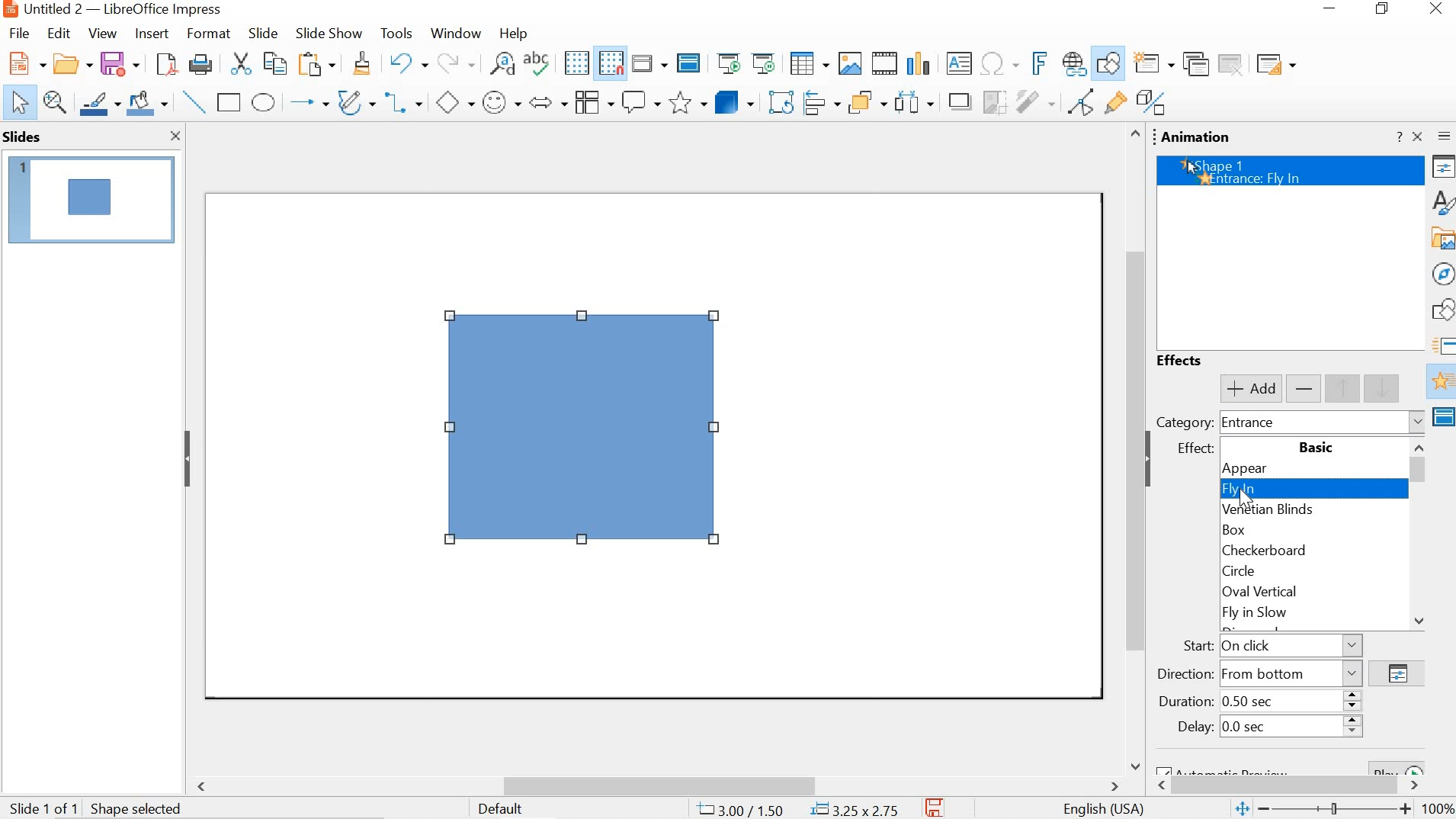 The image size is (1456, 819). What do you see at coordinates (1442, 311) in the screenshot?
I see `shapes` at bounding box center [1442, 311].